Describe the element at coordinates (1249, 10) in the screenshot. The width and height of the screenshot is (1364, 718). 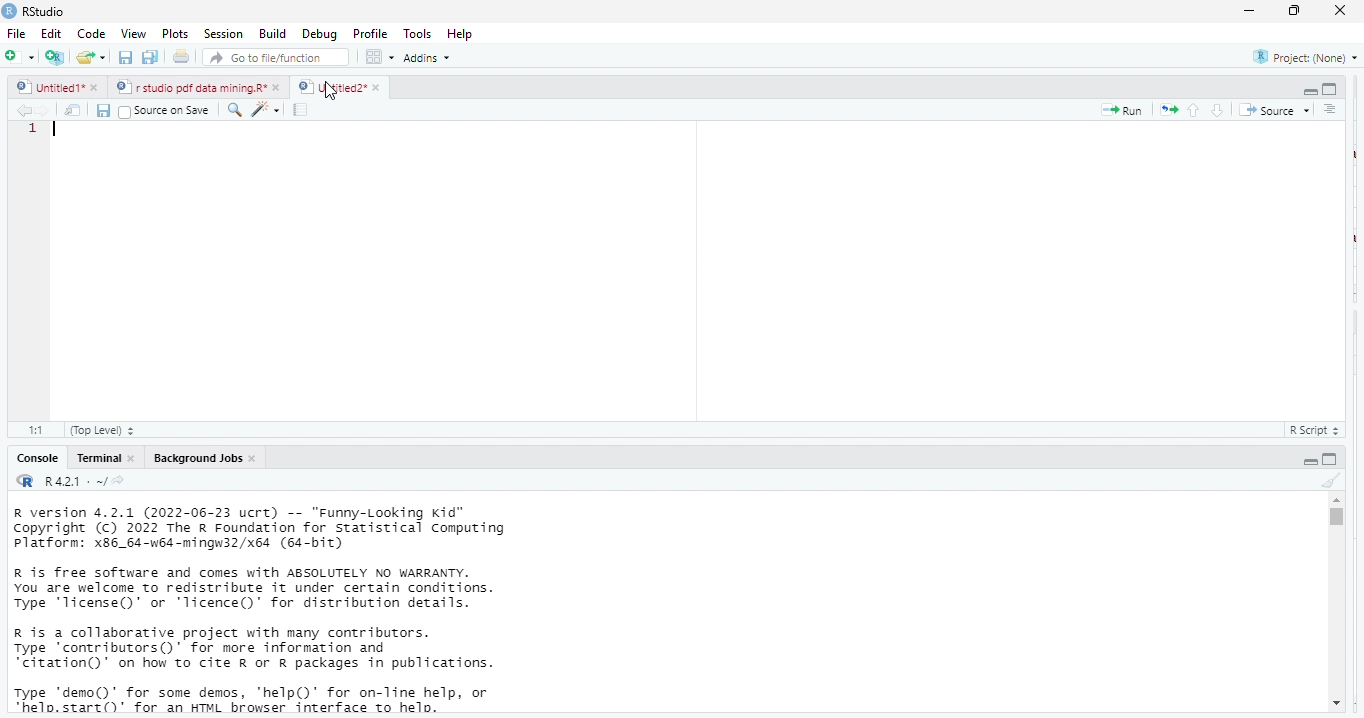
I see `minimize` at that location.